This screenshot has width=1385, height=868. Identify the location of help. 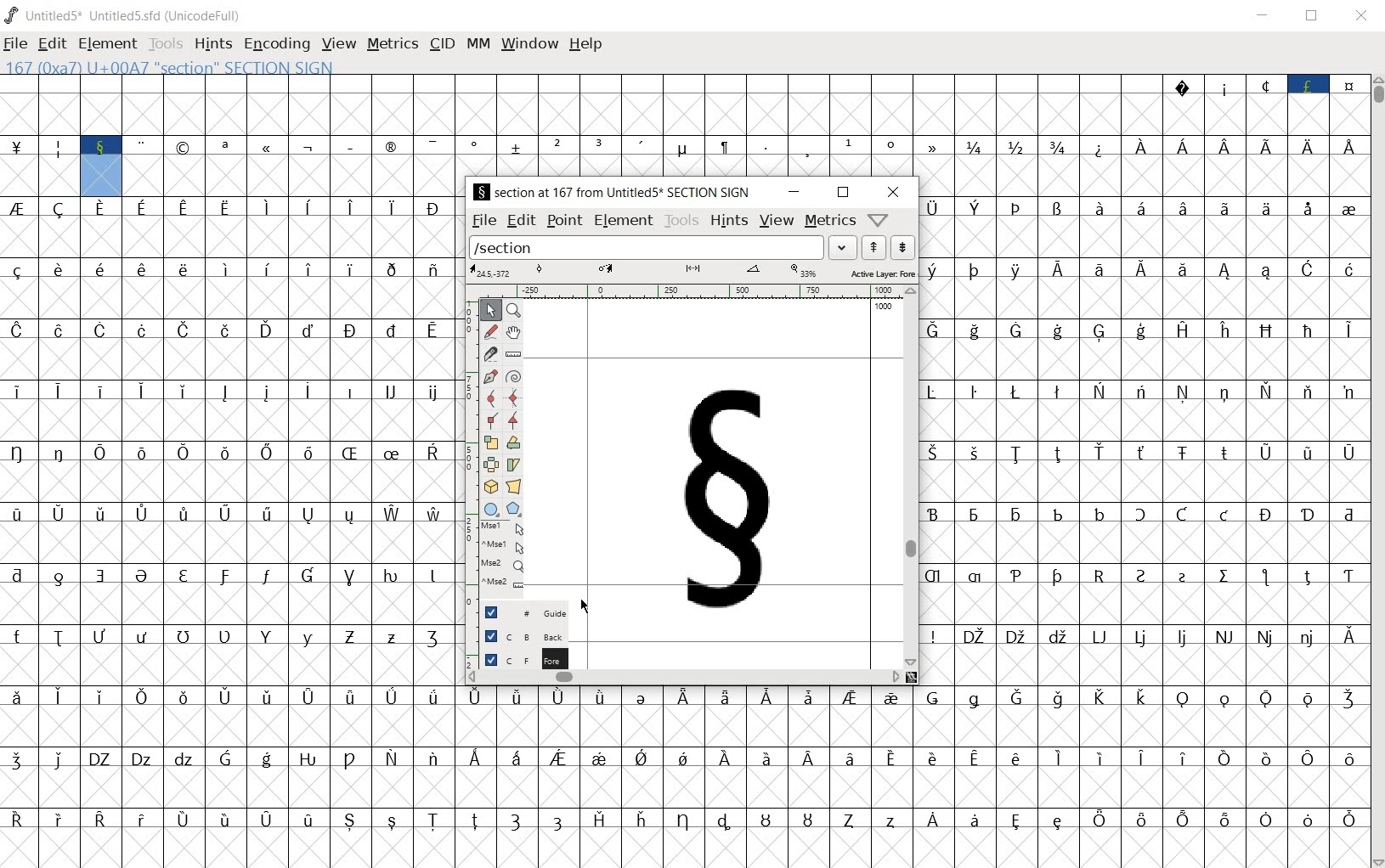
(586, 44).